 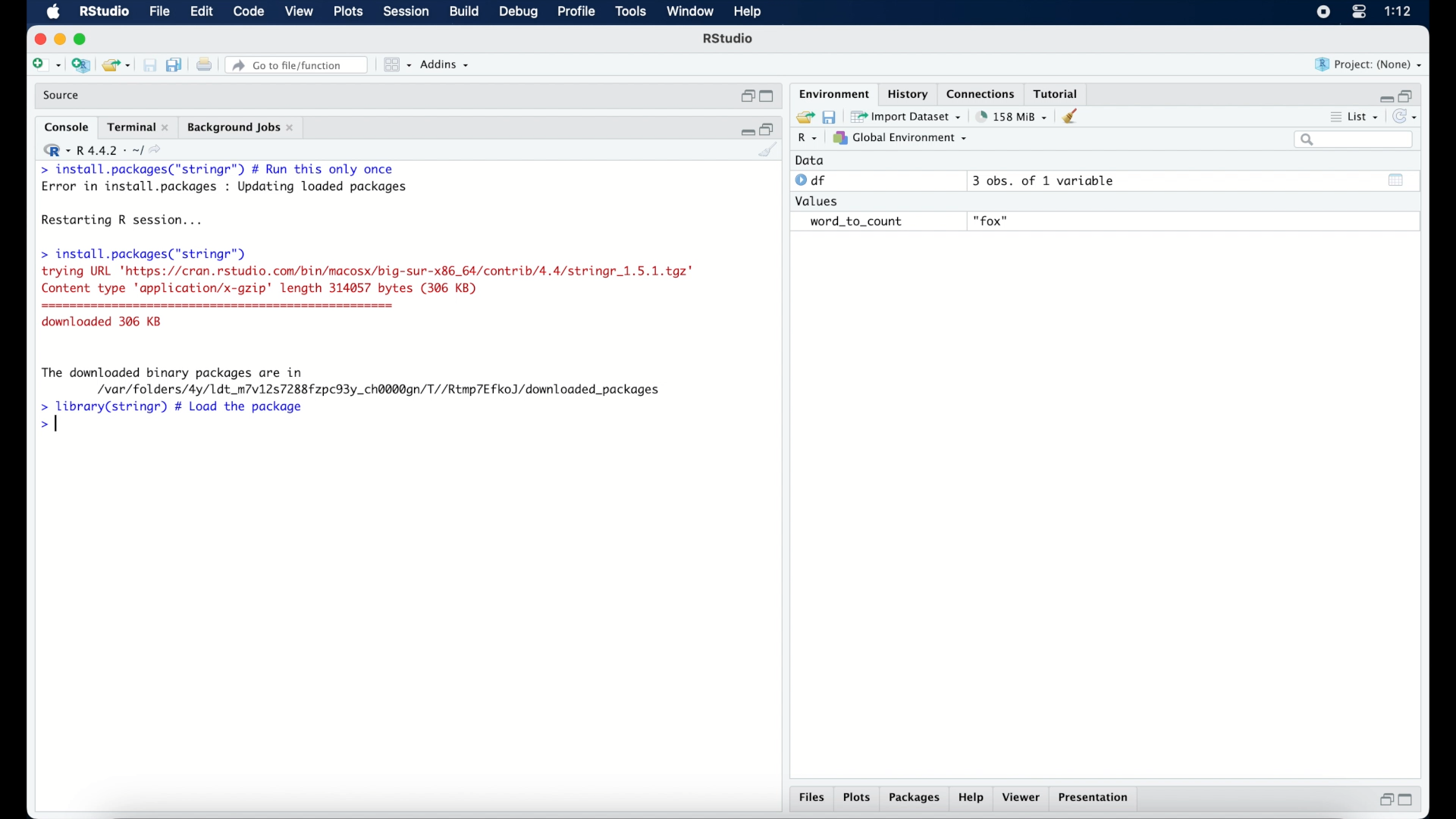 I want to click on project (none), so click(x=1369, y=64).